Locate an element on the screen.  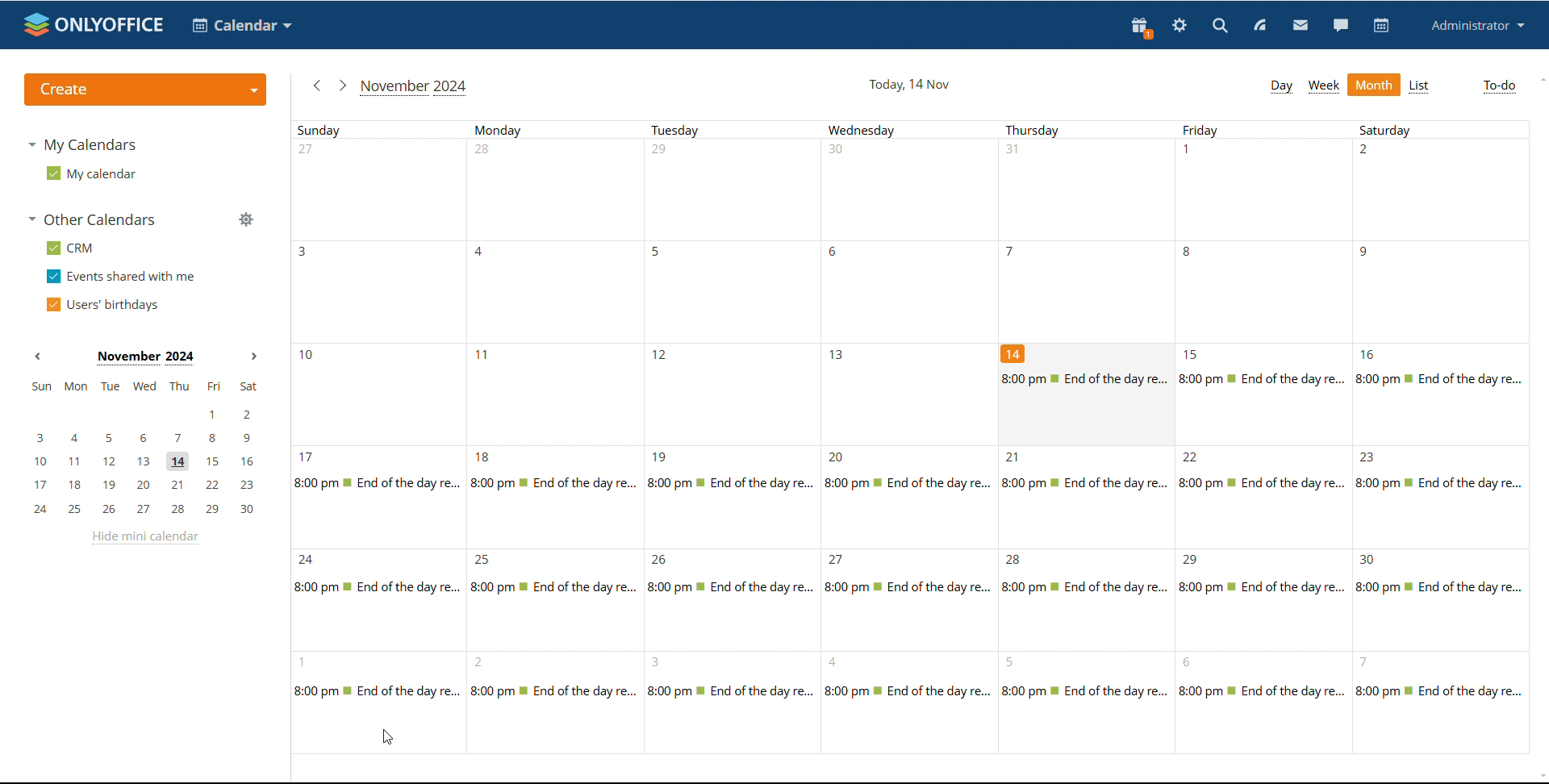
calendar is located at coordinates (242, 25).